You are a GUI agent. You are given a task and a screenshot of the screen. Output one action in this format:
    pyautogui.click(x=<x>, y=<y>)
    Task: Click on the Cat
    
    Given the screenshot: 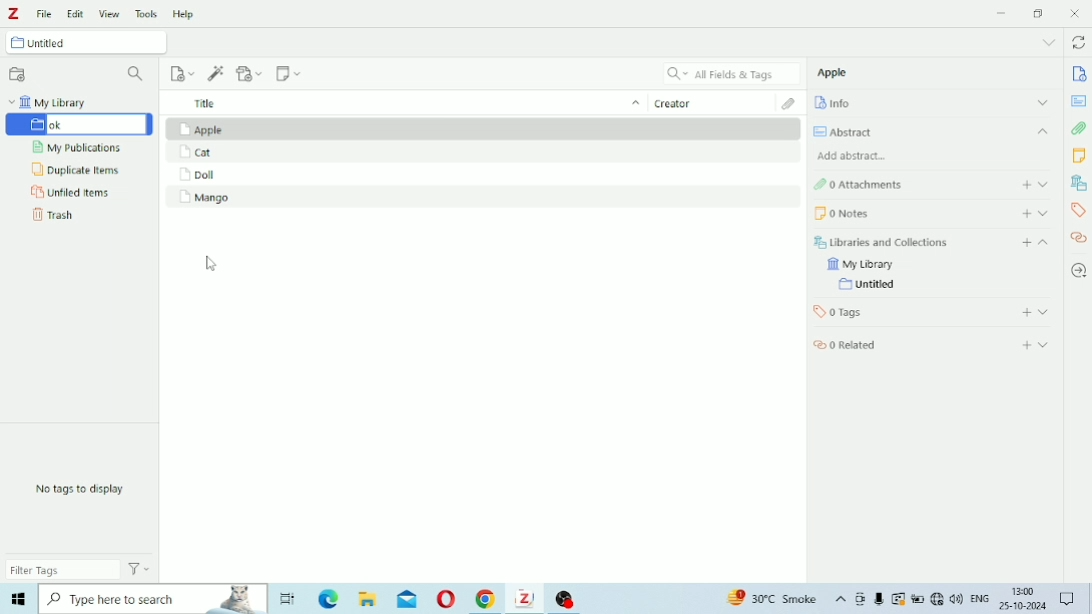 What is the action you would take?
    pyautogui.click(x=199, y=152)
    